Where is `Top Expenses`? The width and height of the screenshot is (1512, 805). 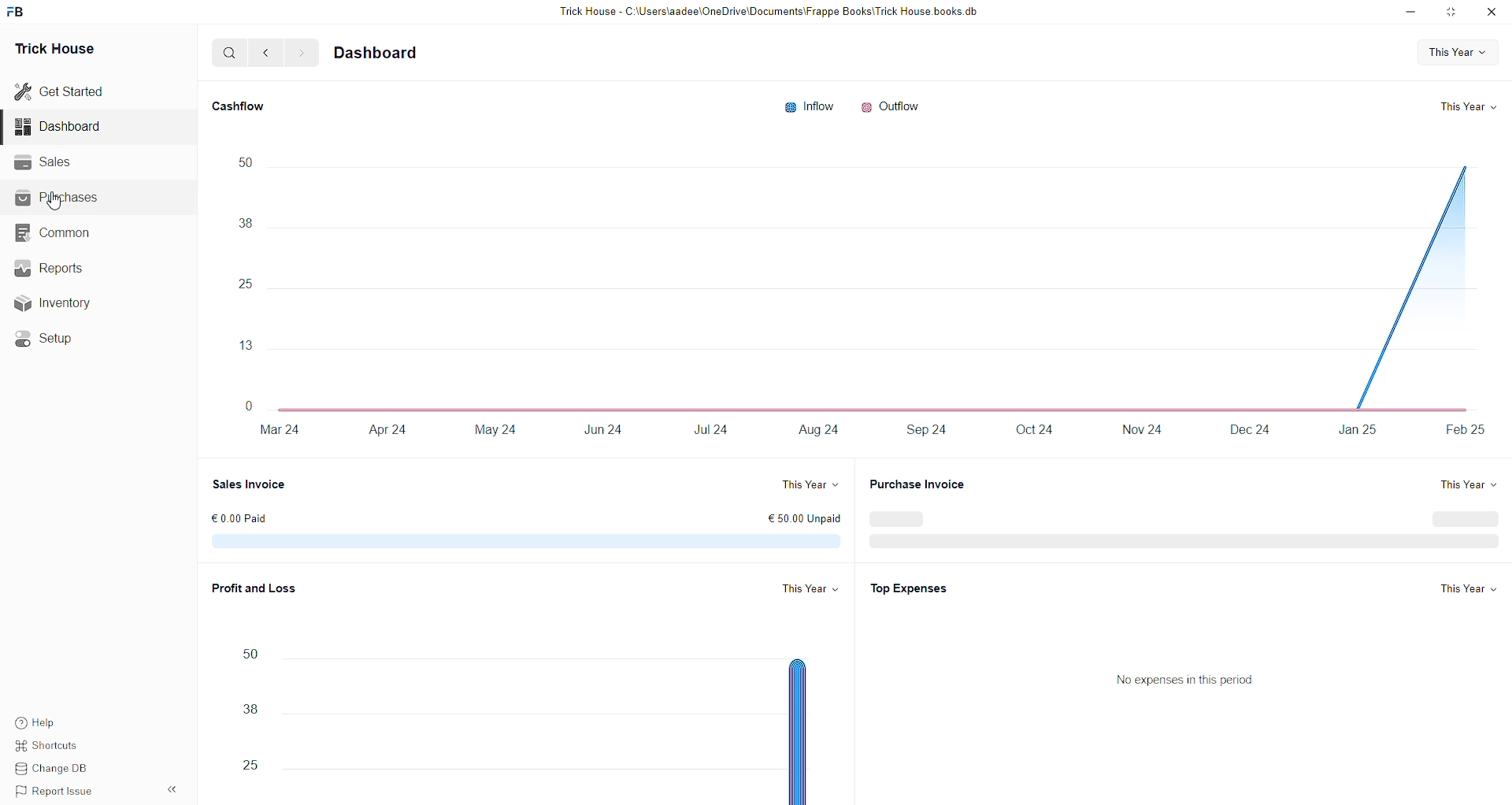
Top Expenses is located at coordinates (918, 588).